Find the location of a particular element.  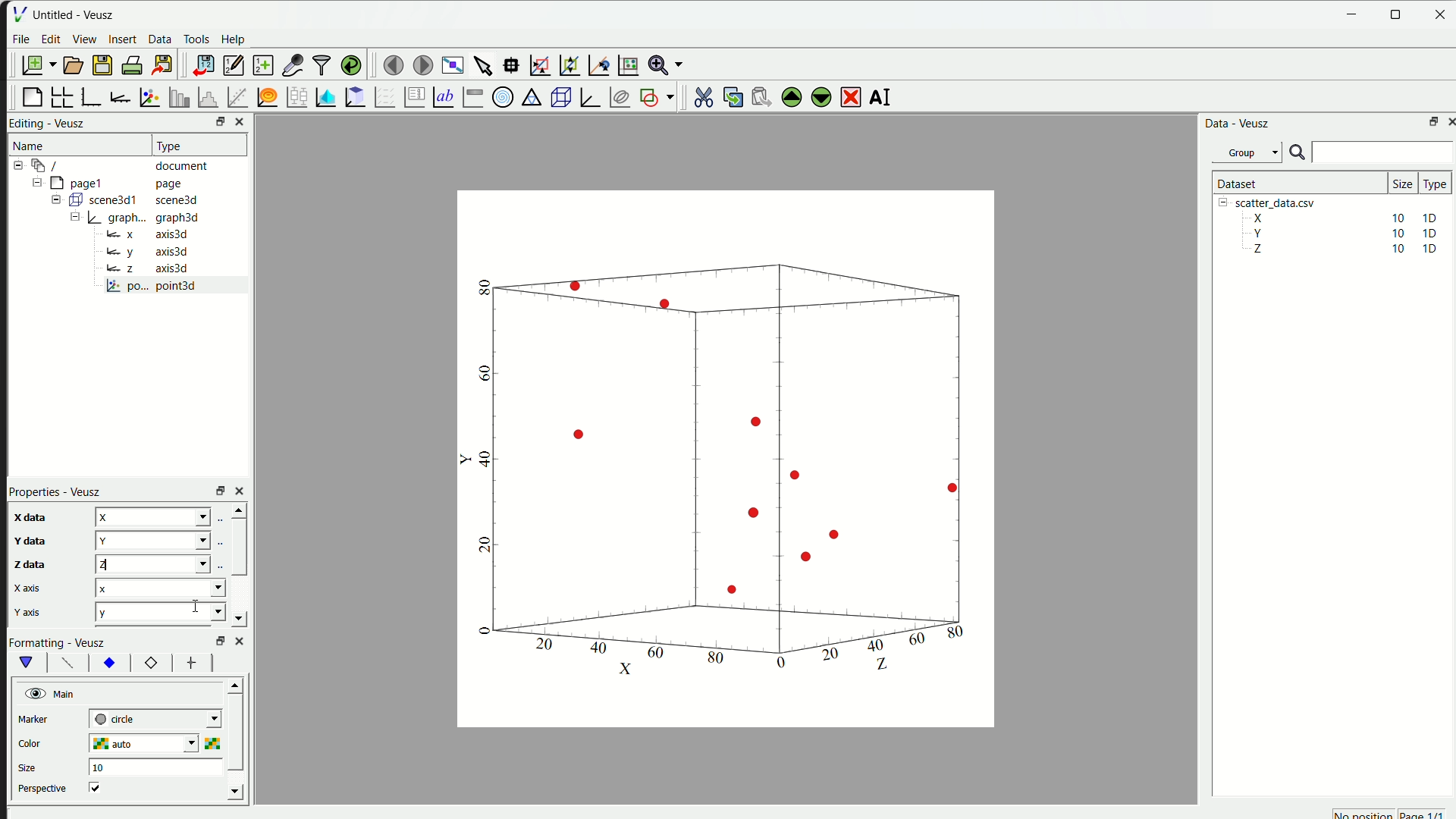

read datapoint on graph is located at coordinates (510, 64).